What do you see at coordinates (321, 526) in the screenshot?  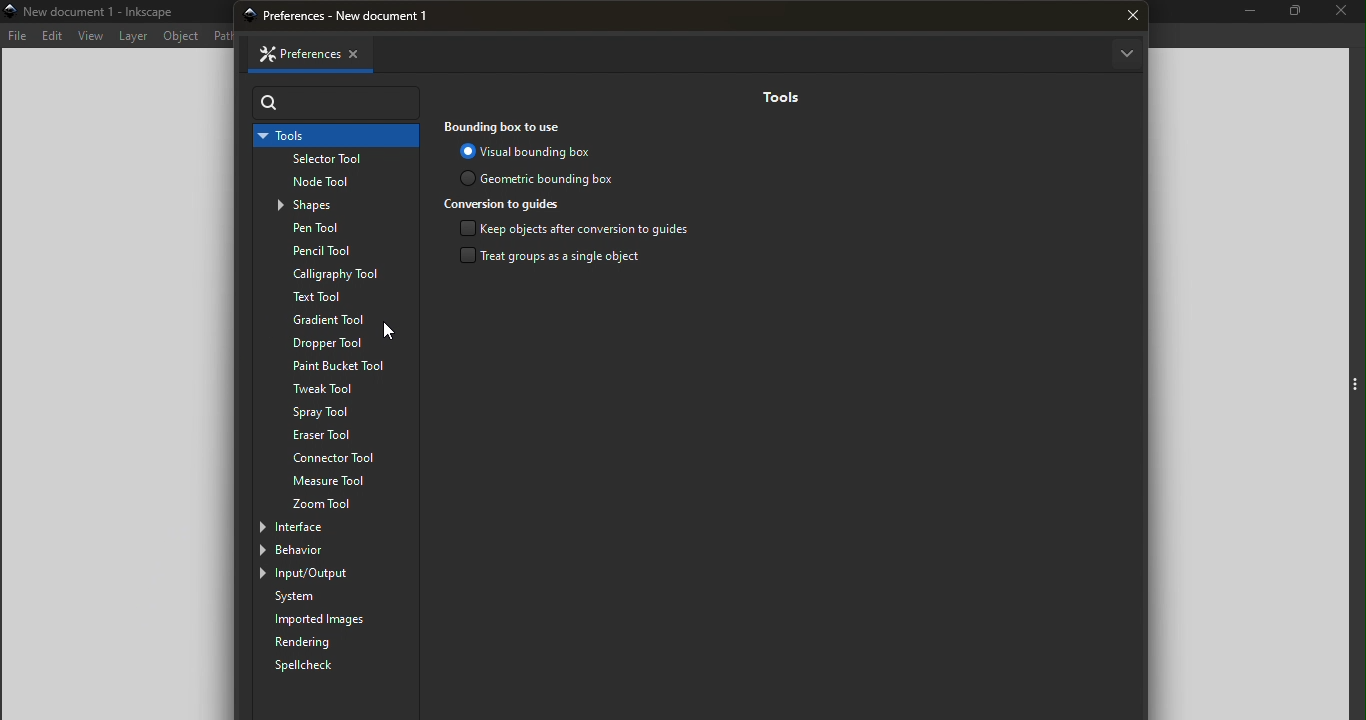 I see `Interface` at bounding box center [321, 526].